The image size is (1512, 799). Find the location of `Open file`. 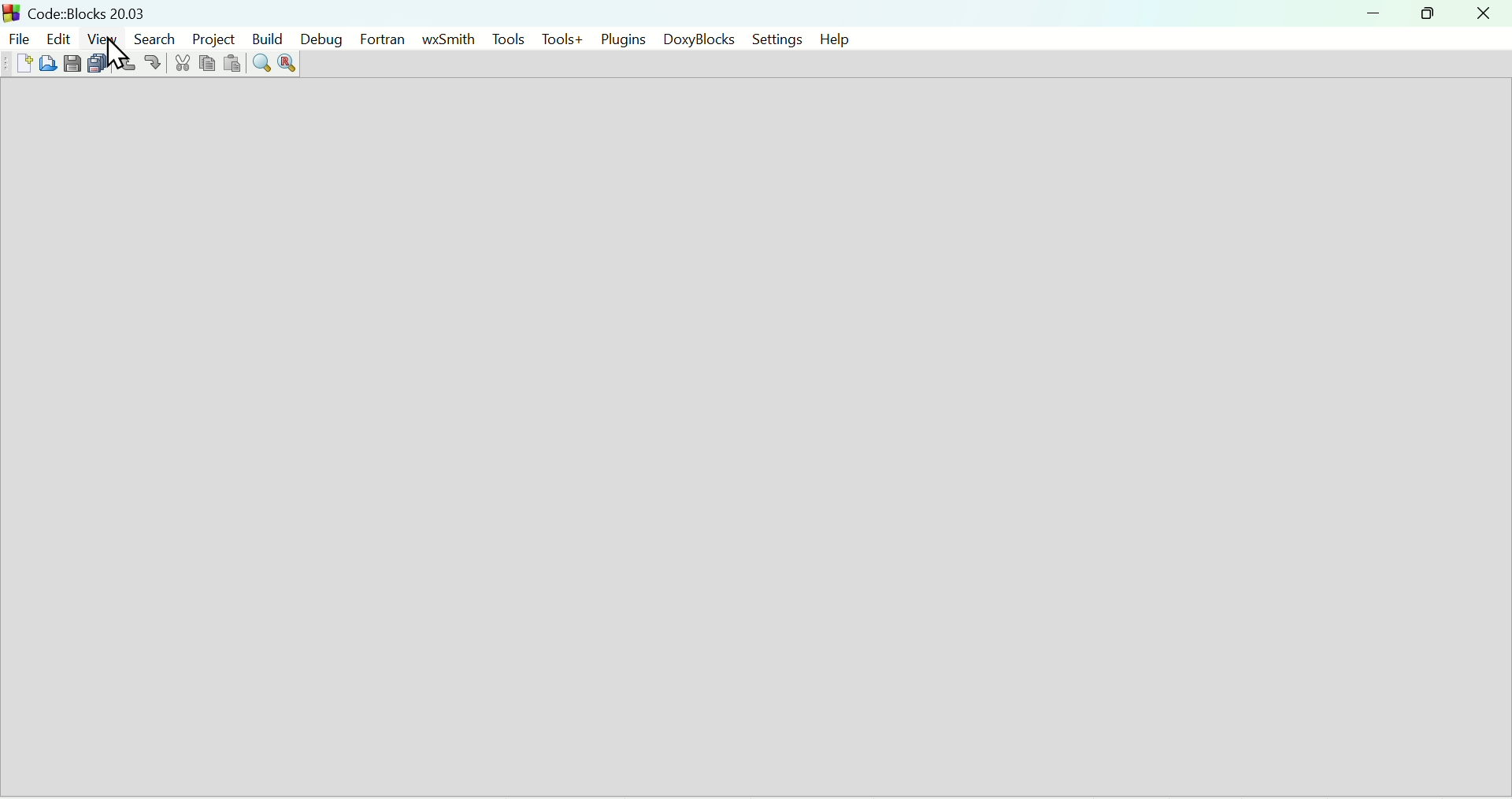

Open file is located at coordinates (50, 63).